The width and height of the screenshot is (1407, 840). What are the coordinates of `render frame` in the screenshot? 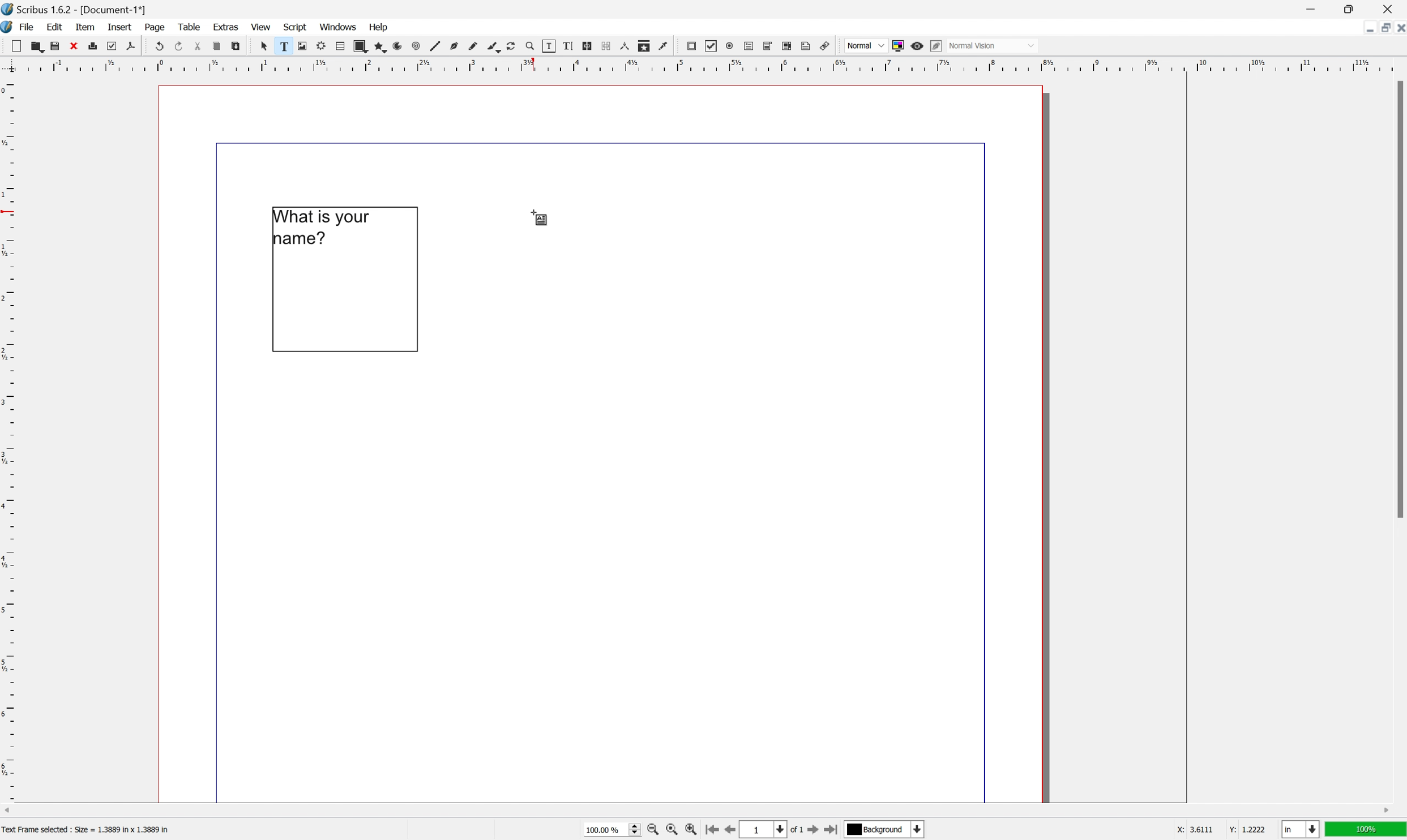 It's located at (320, 45).